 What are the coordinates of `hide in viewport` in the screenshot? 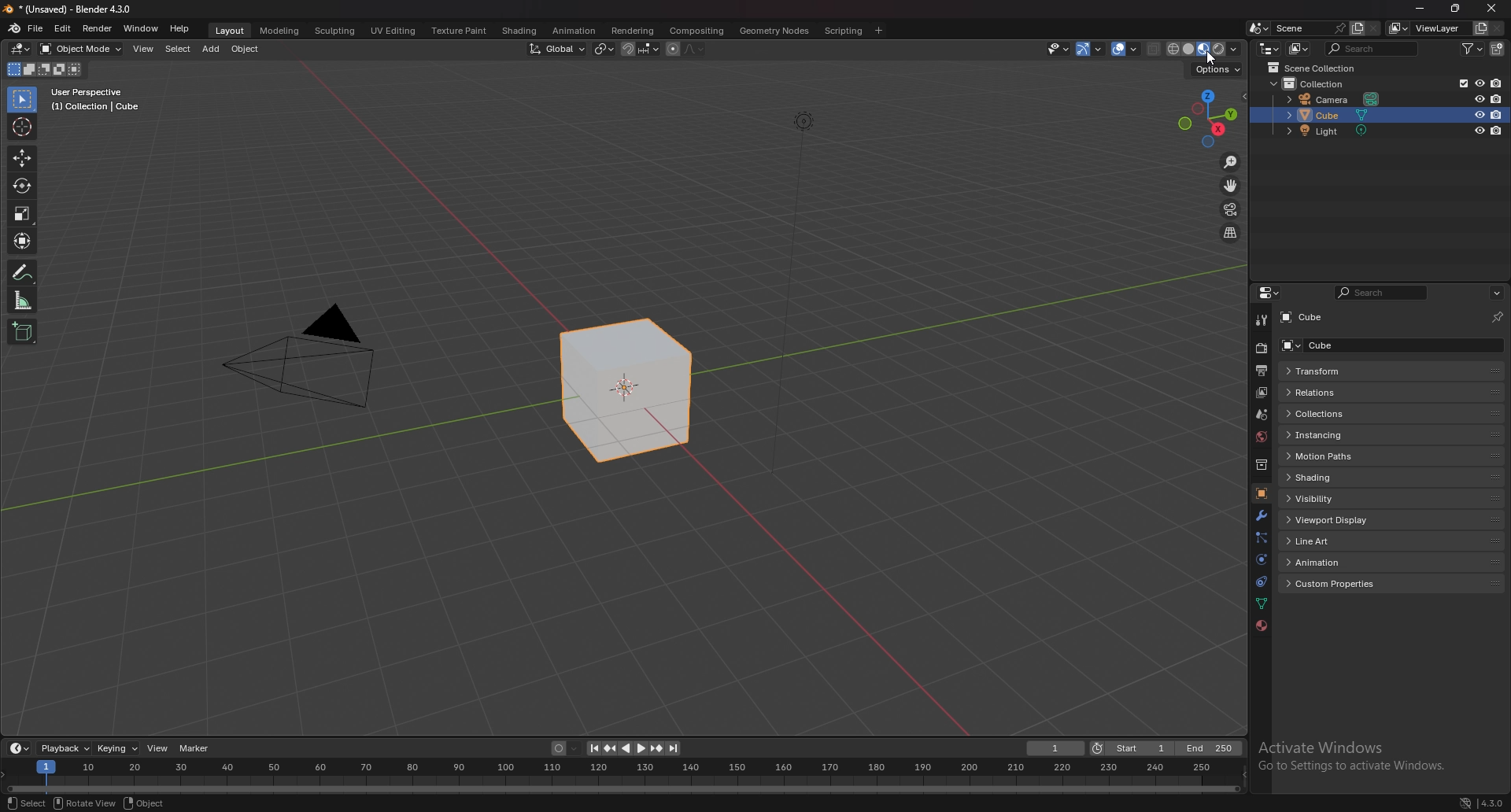 It's located at (1479, 114).